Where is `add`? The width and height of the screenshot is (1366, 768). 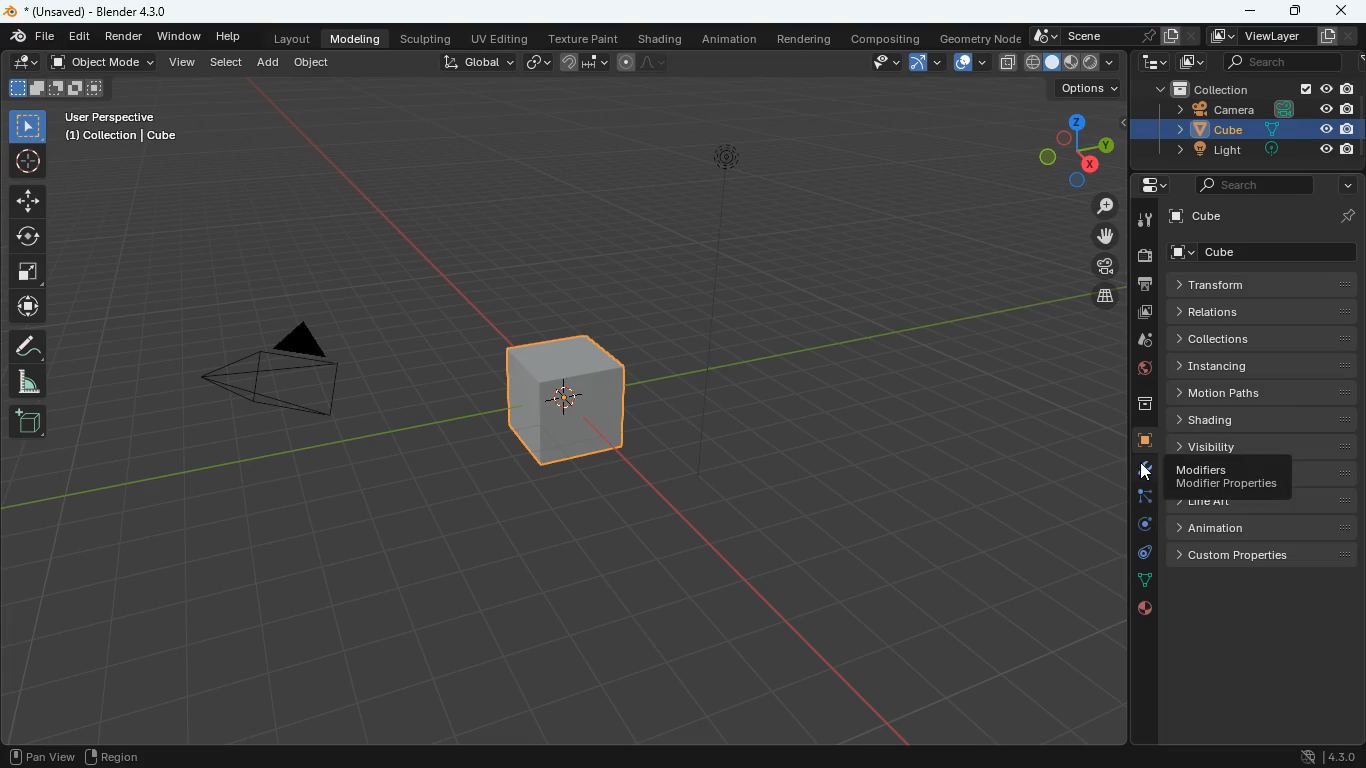
add is located at coordinates (269, 64).